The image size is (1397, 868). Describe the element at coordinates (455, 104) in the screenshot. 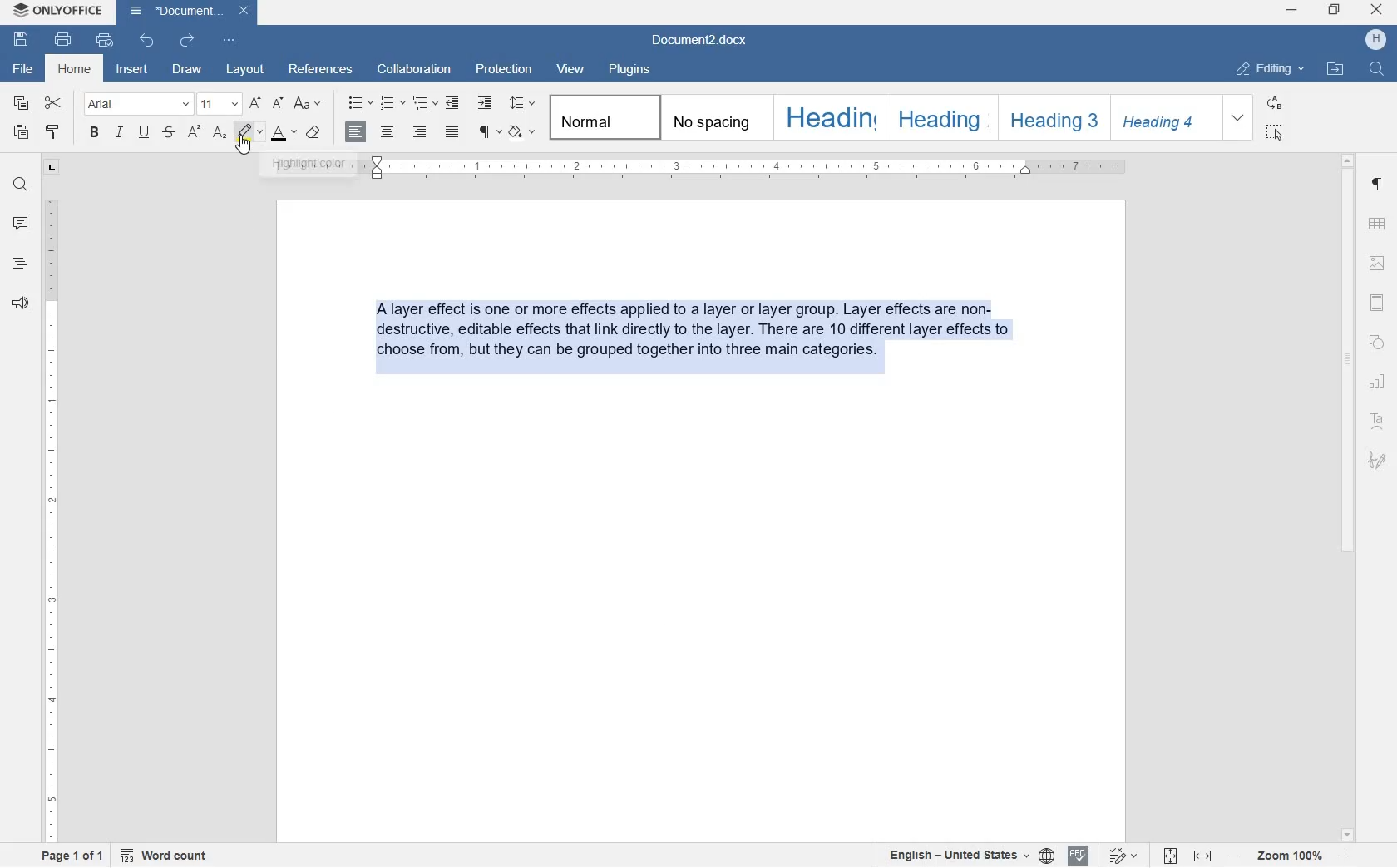

I see `DECREASE INDENT` at that location.